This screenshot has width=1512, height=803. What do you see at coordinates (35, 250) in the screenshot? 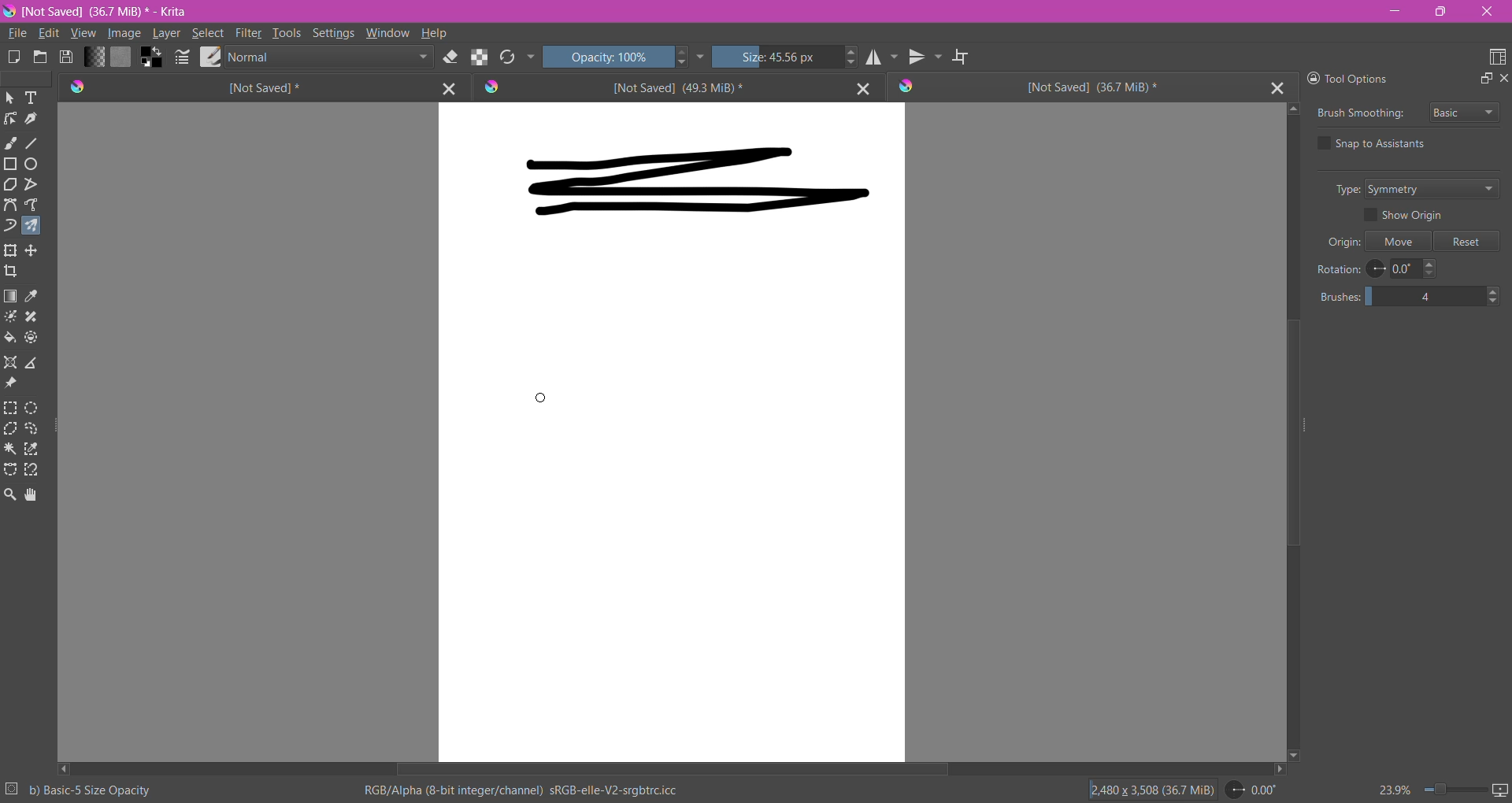
I see `Transform a layer` at bounding box center [35, 250].